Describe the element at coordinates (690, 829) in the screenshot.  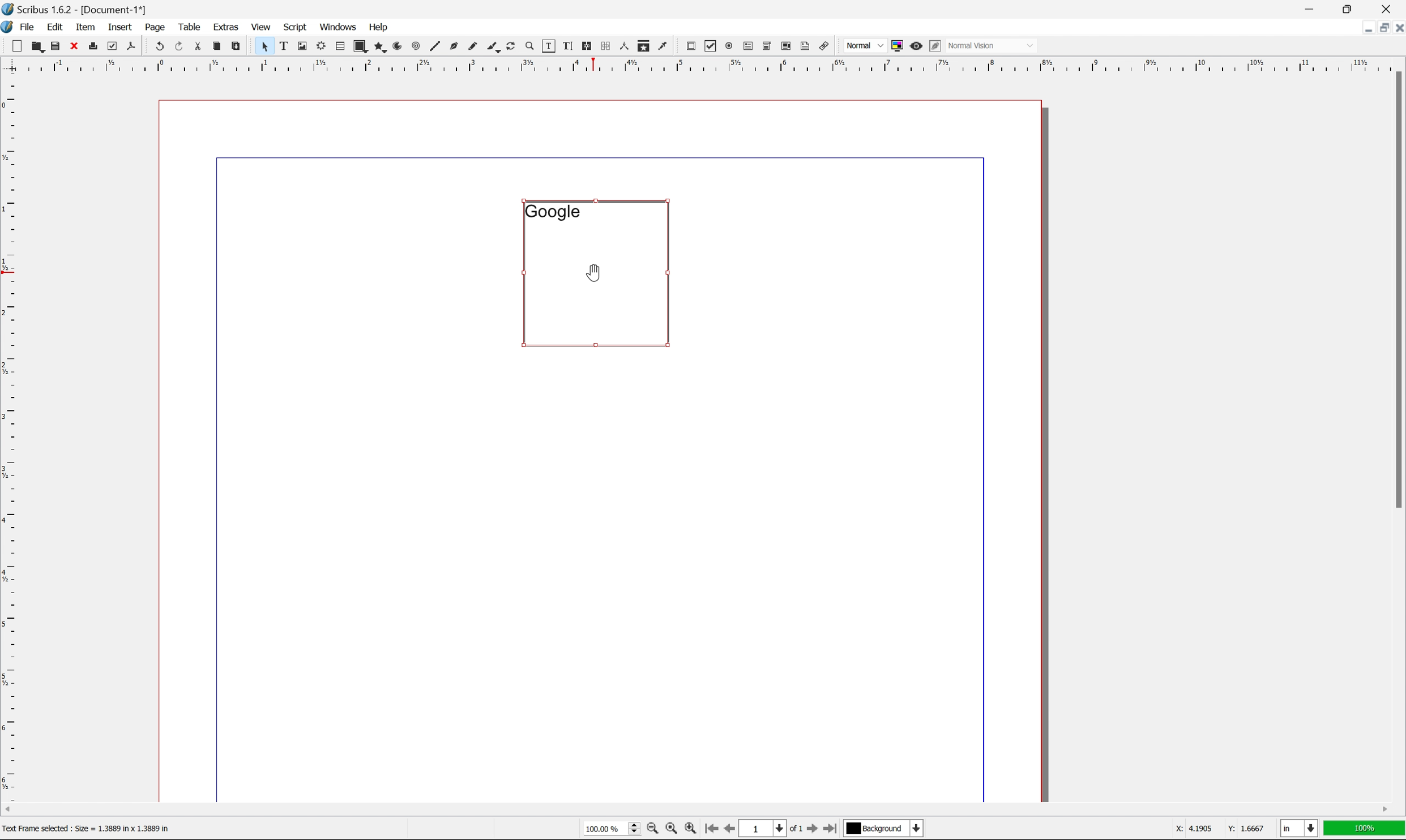
I see `zoom in` at that location.